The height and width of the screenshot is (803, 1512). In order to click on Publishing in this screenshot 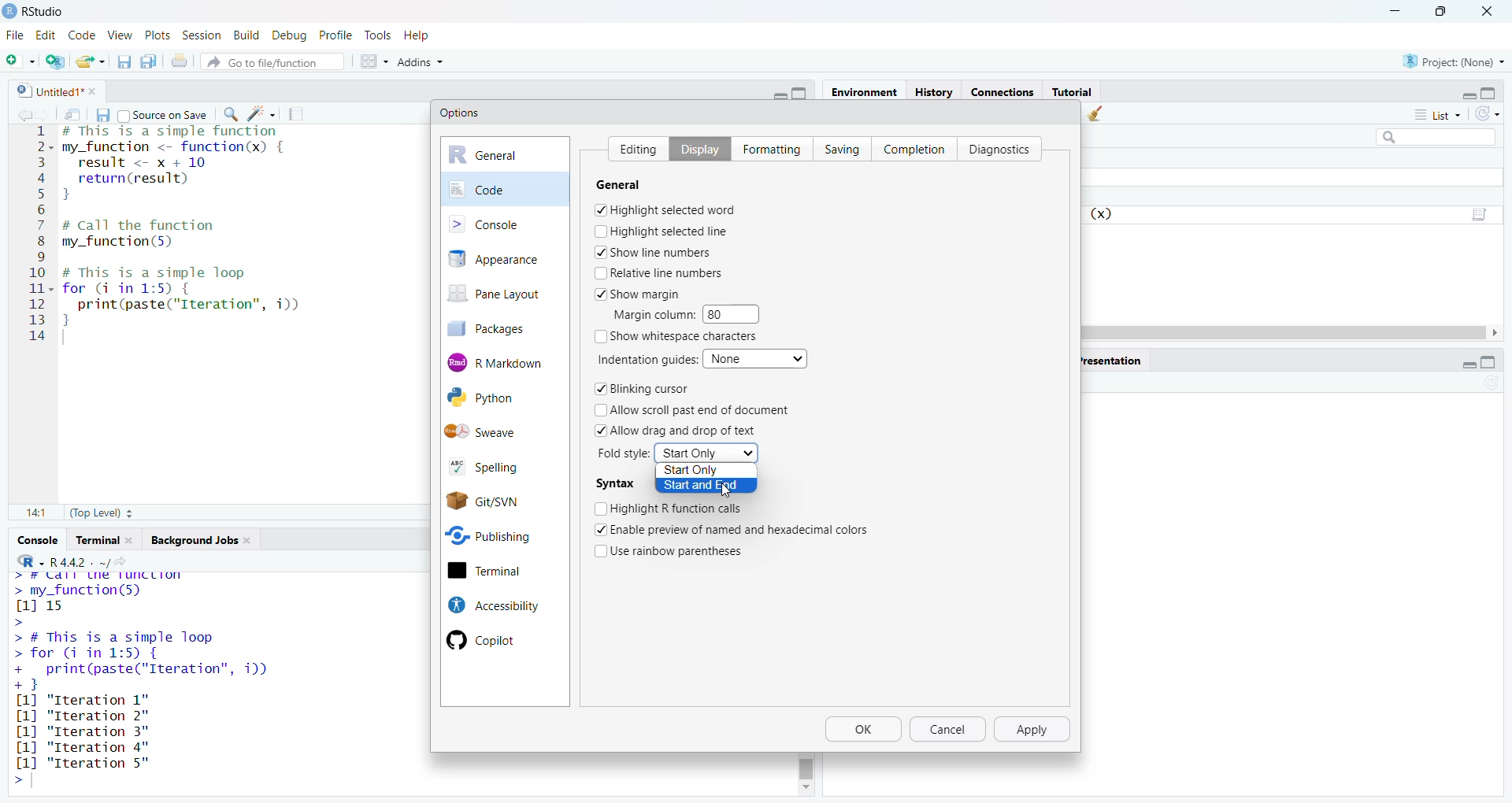, I will do `click(501, 534)`.